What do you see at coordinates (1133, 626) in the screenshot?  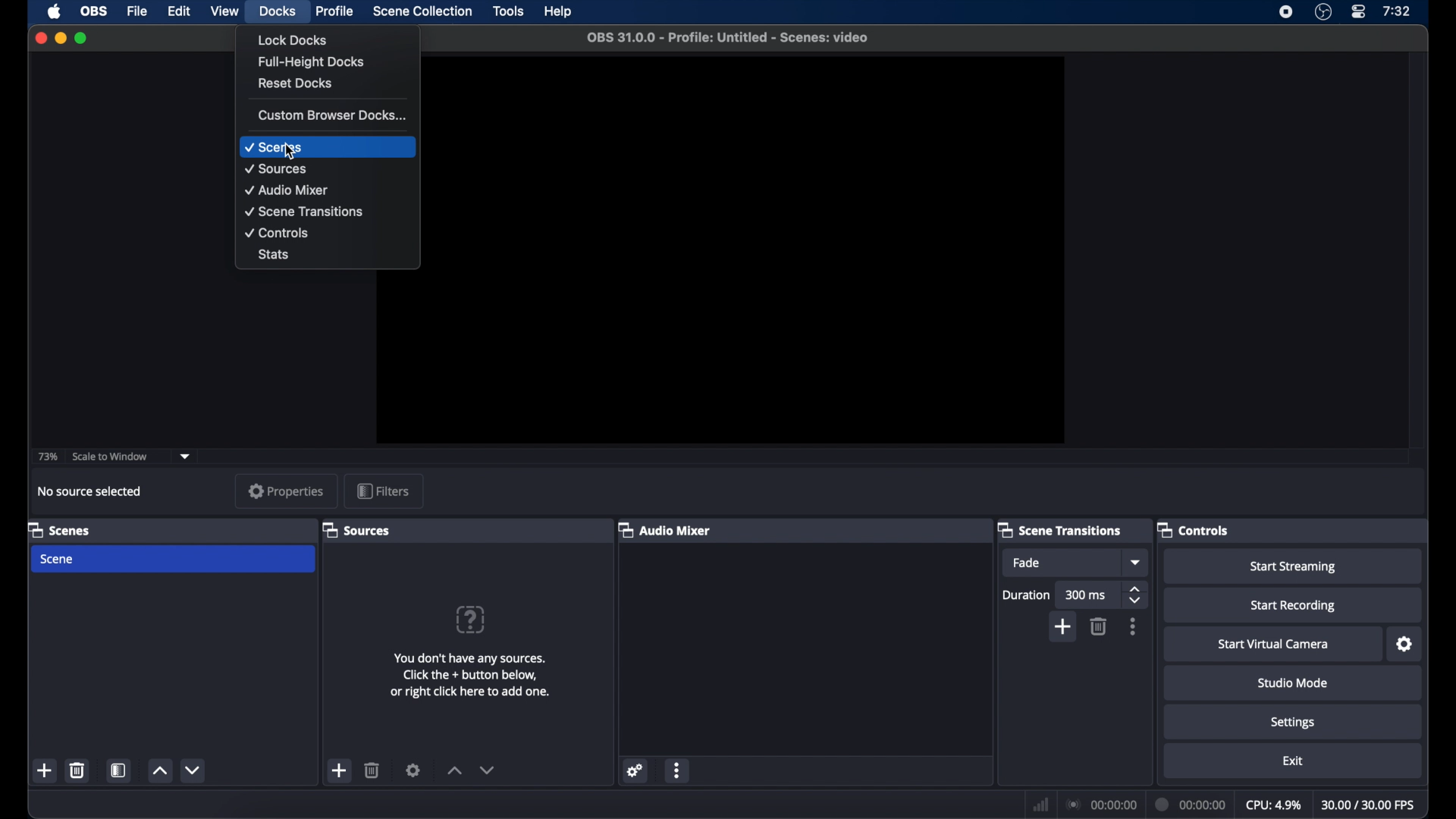 I see `more options` at bounding box center [1133, 626].